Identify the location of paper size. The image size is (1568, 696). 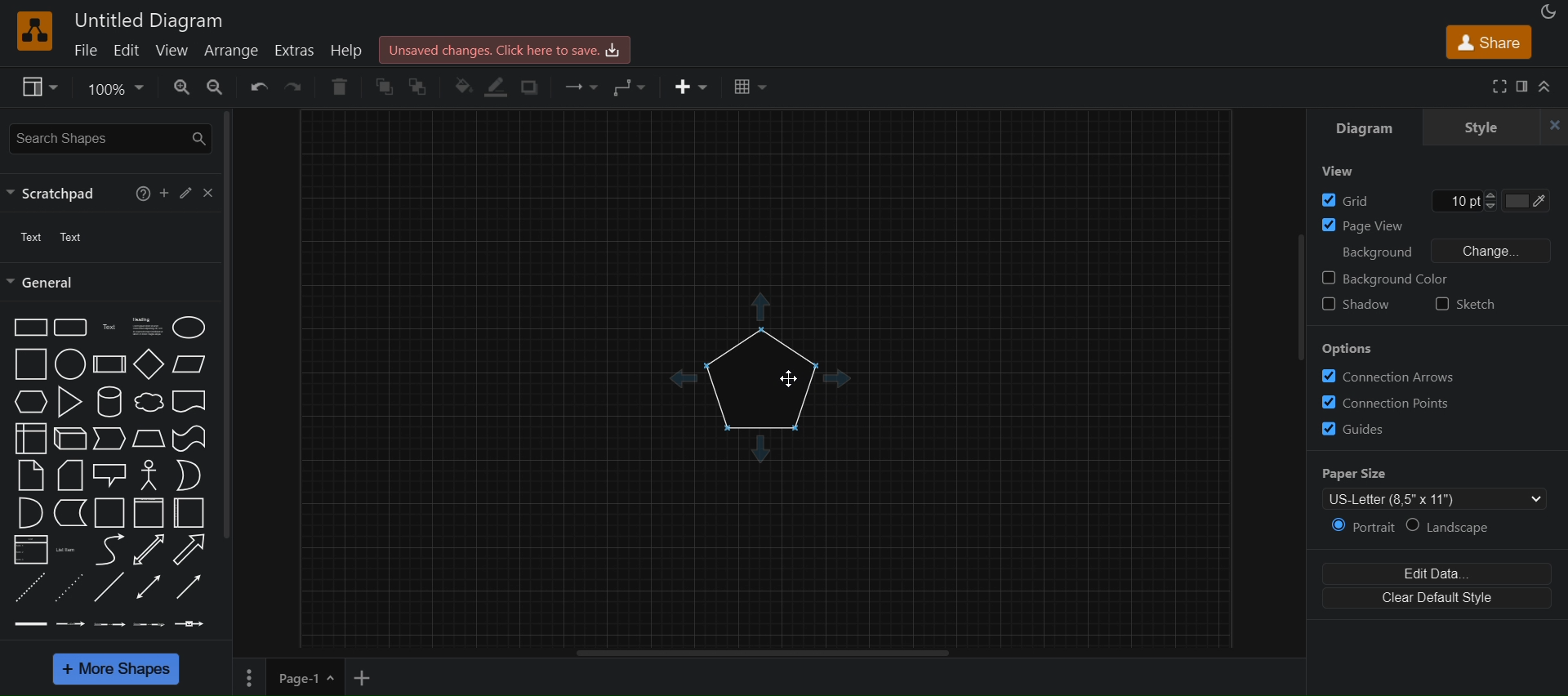
(1354, 474).